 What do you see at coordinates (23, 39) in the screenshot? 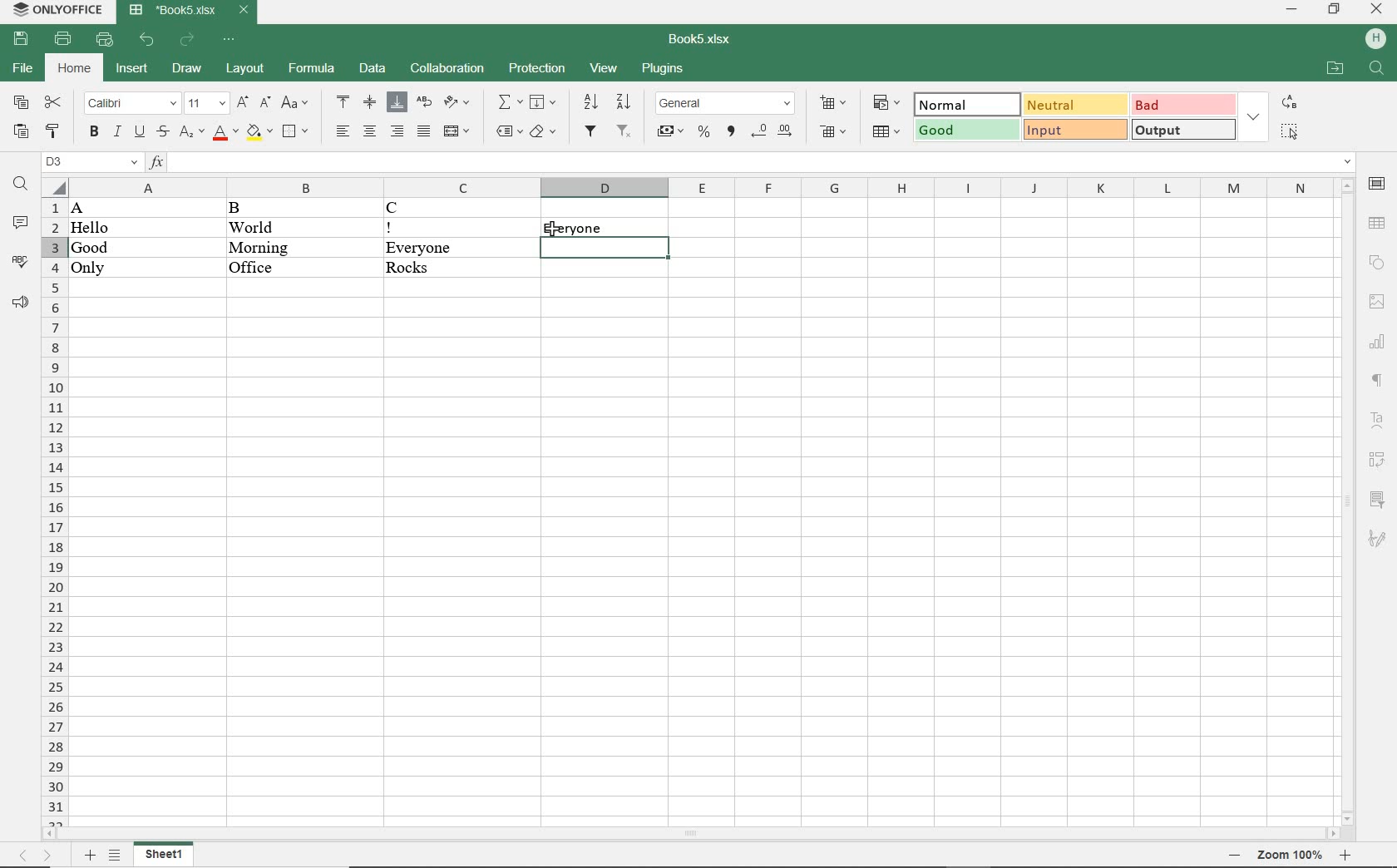
I see `save` at bounding box center [23, 39].